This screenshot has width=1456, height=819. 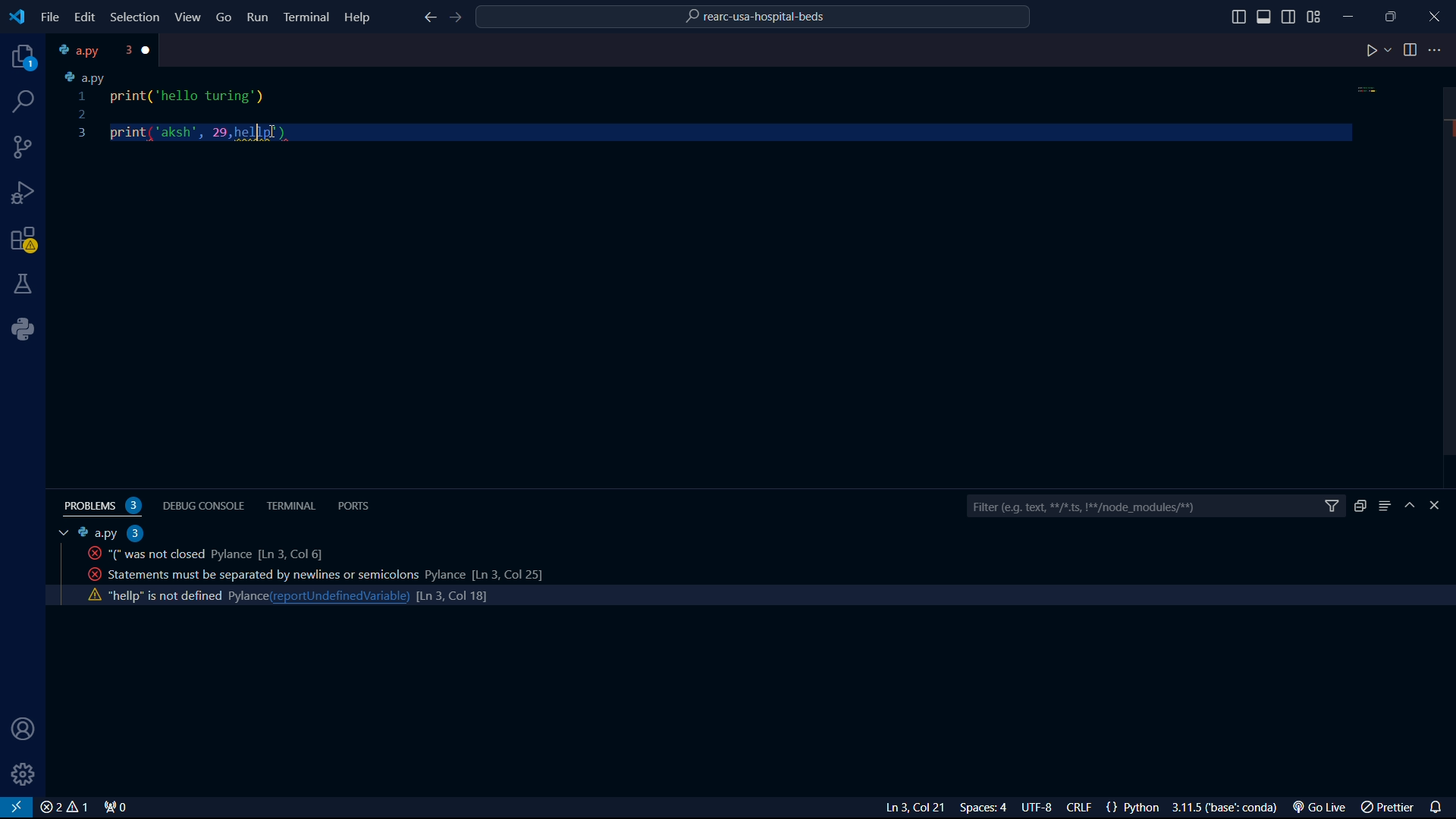 I want to click on activity code, so click(x=200, y=554).